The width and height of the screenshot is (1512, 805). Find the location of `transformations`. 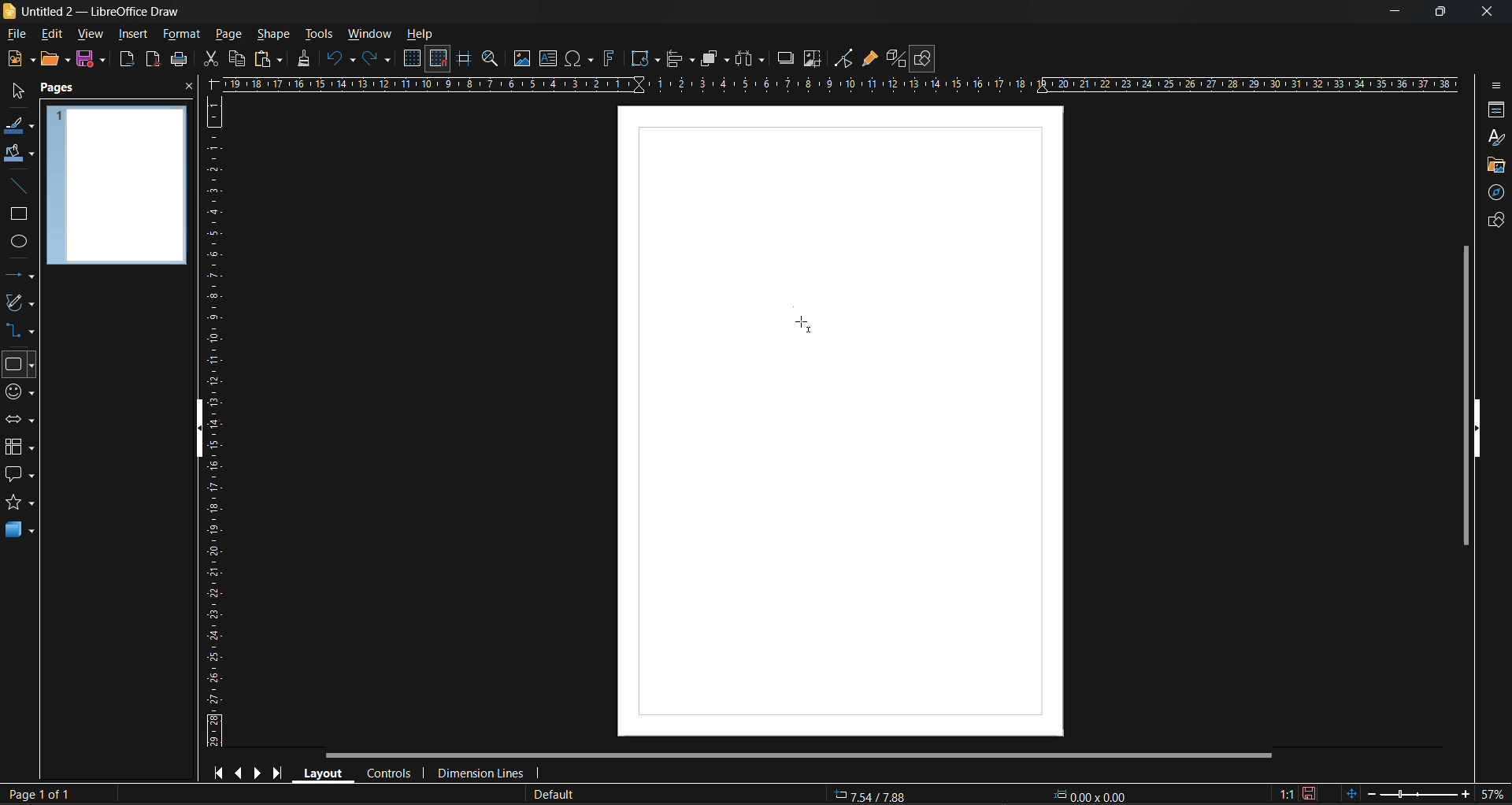

transformations is located at coordinates (645, 59).